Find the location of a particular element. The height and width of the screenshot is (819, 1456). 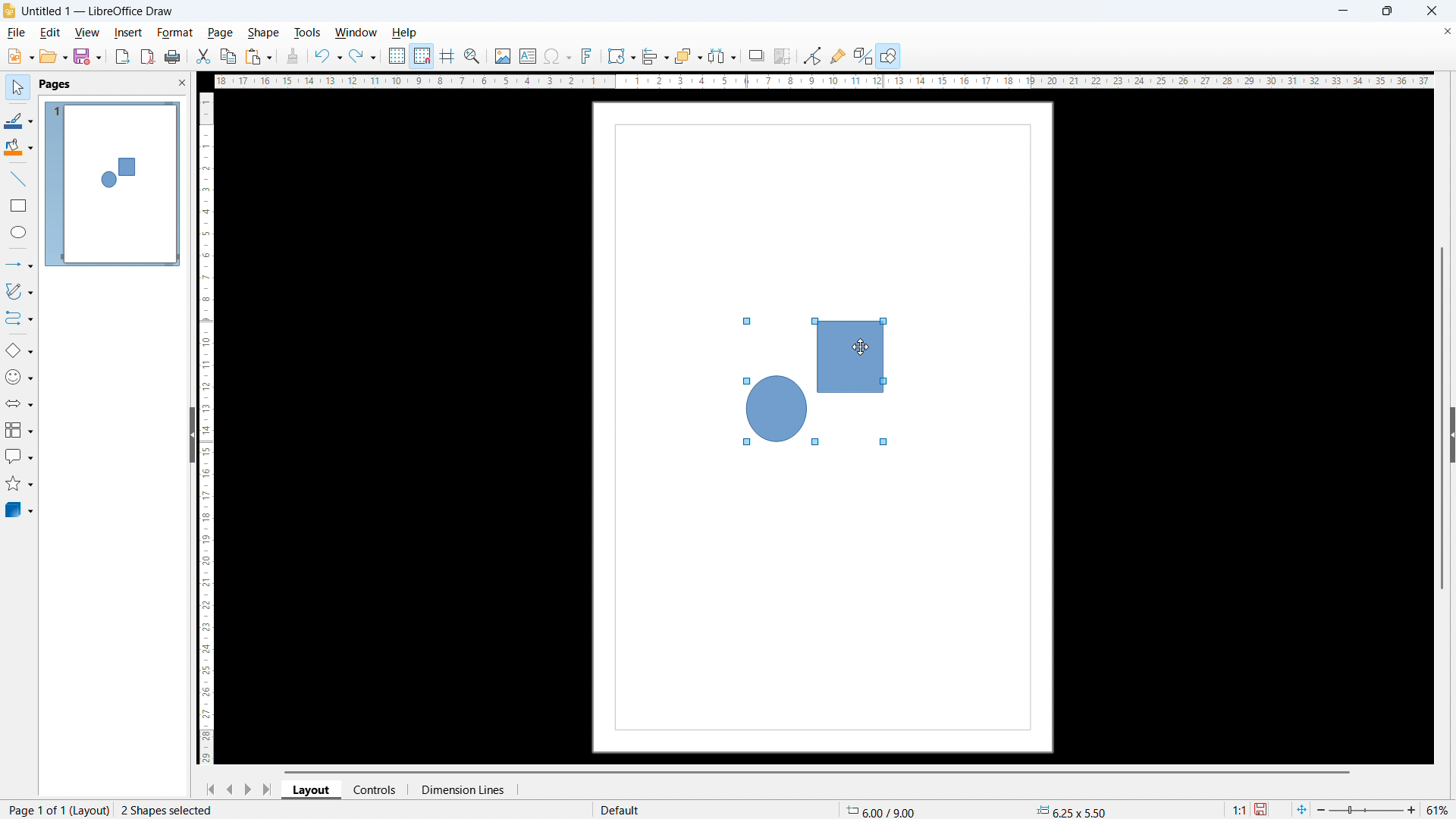

horizontal scrollbar is located at coordinates (813, 772).